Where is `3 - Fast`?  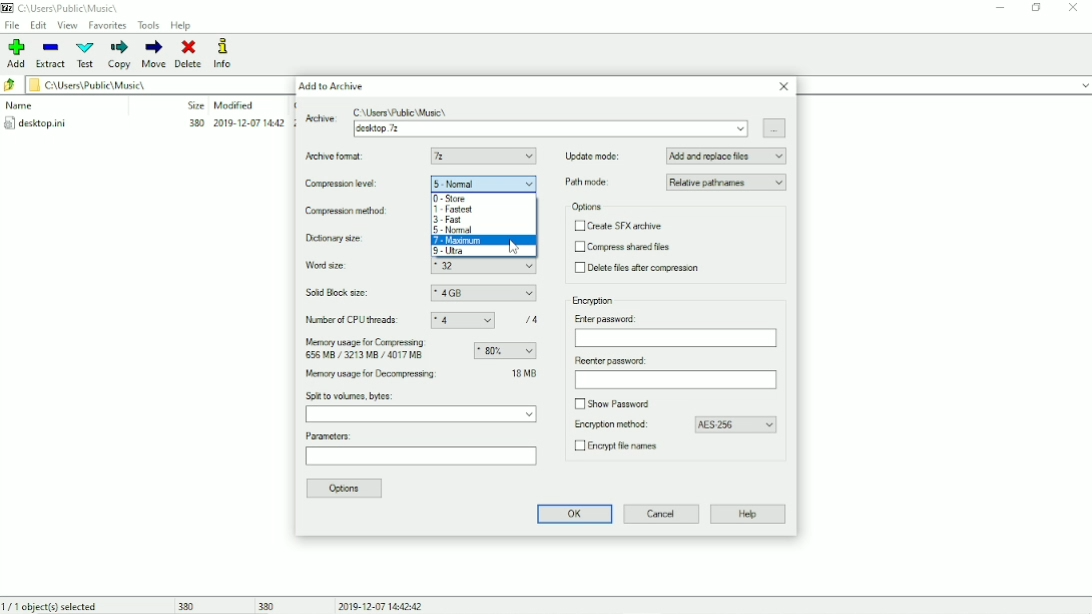 3 - Fast is located at coordinates (451, 220).